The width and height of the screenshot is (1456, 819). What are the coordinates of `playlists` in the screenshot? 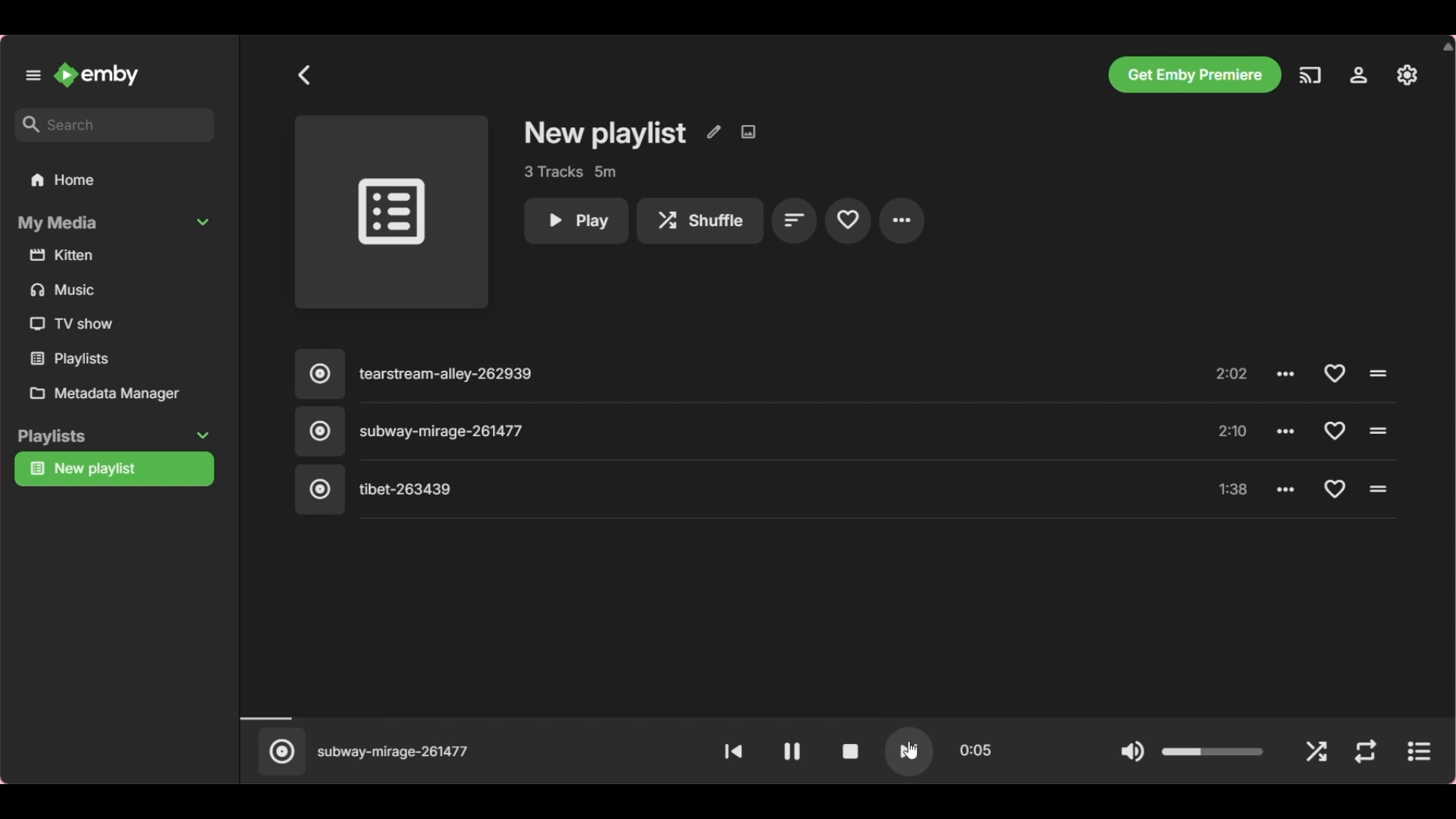 It's located at (77, 359).